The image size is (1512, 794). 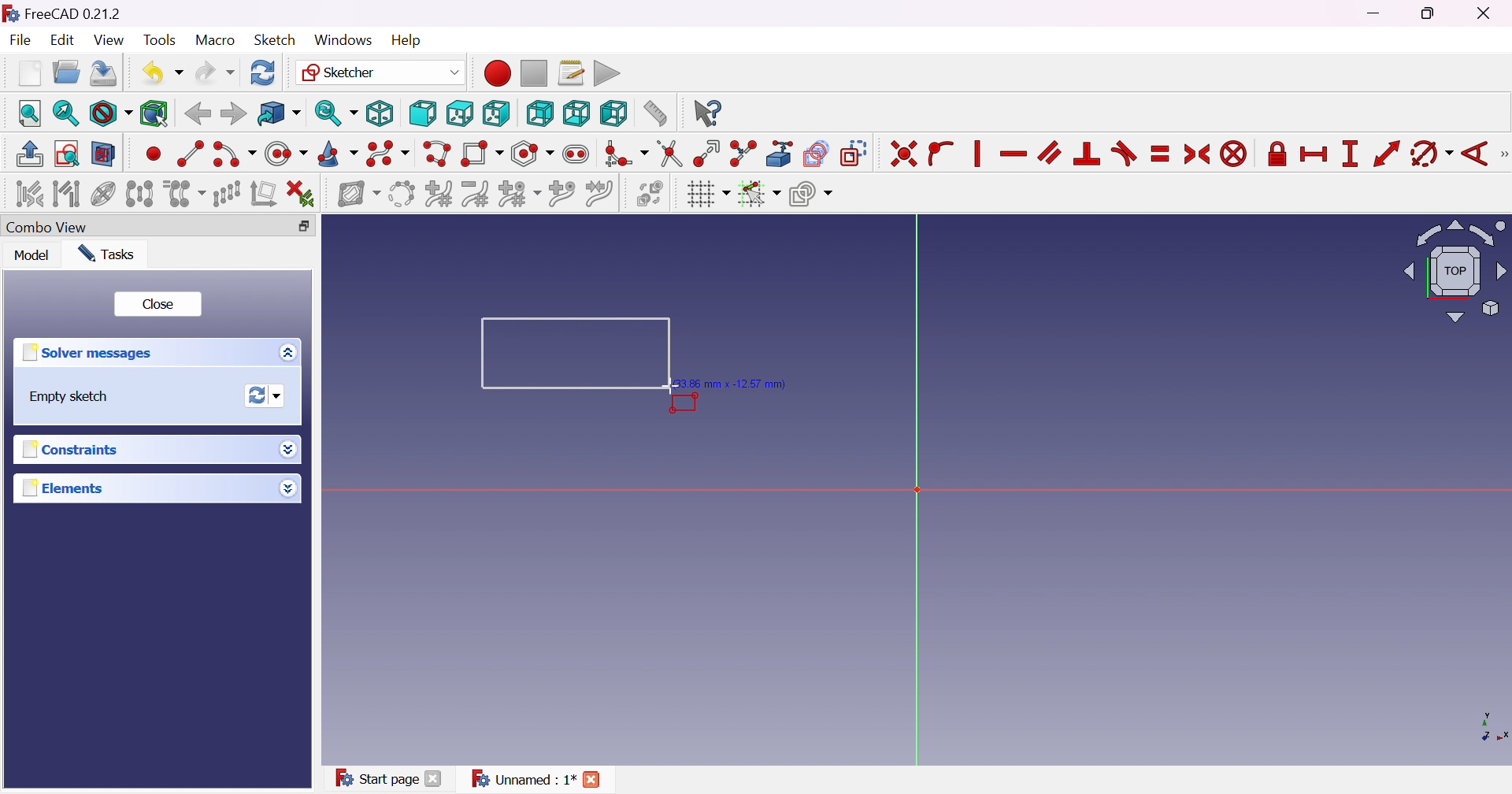 What do you see at coordinates (653, 195) in the screenshot?
I see `Switch virtual space` at bounding box center [653, 195].